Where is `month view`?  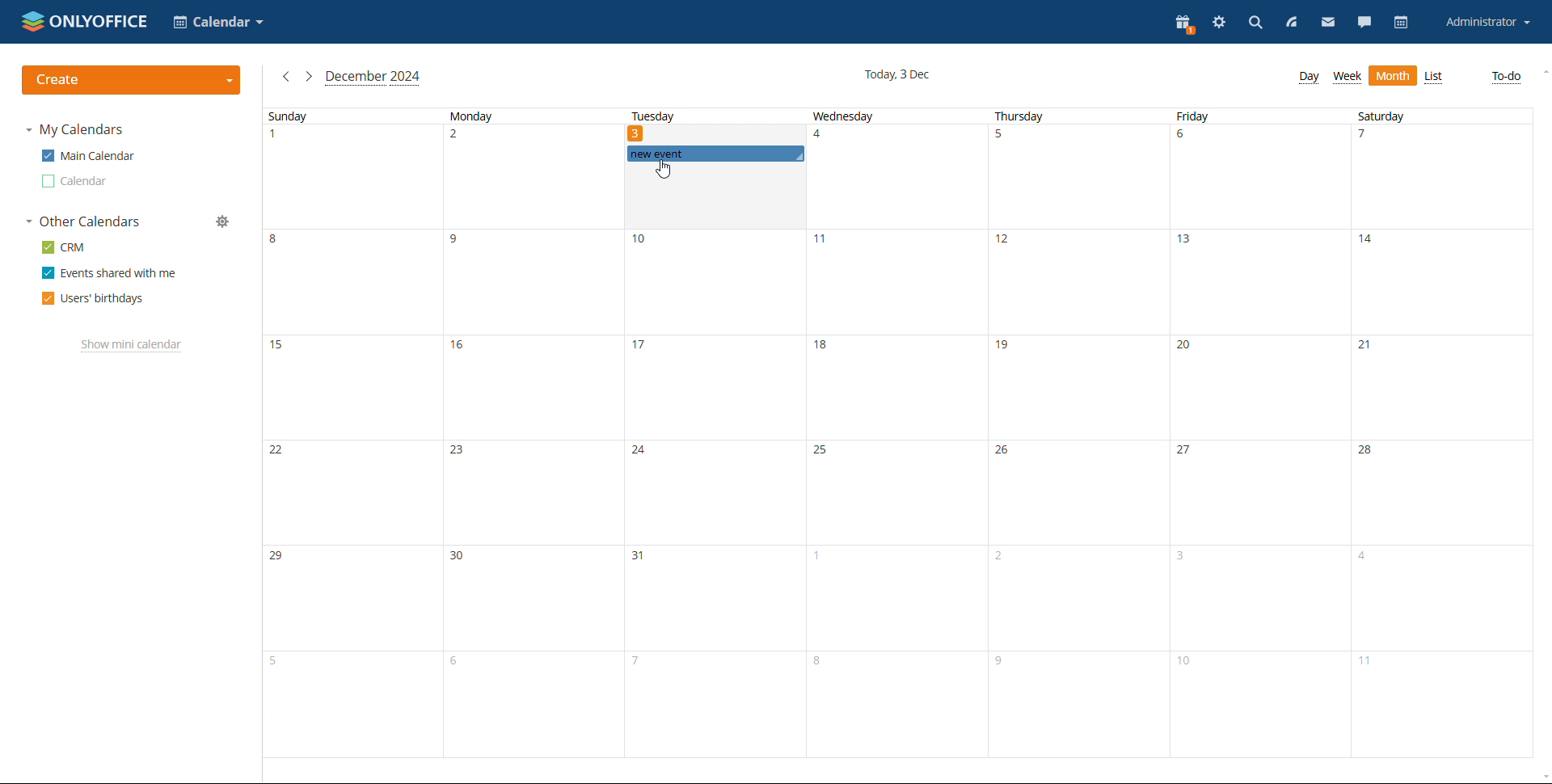
month view is located at coordinates (1393, 75).